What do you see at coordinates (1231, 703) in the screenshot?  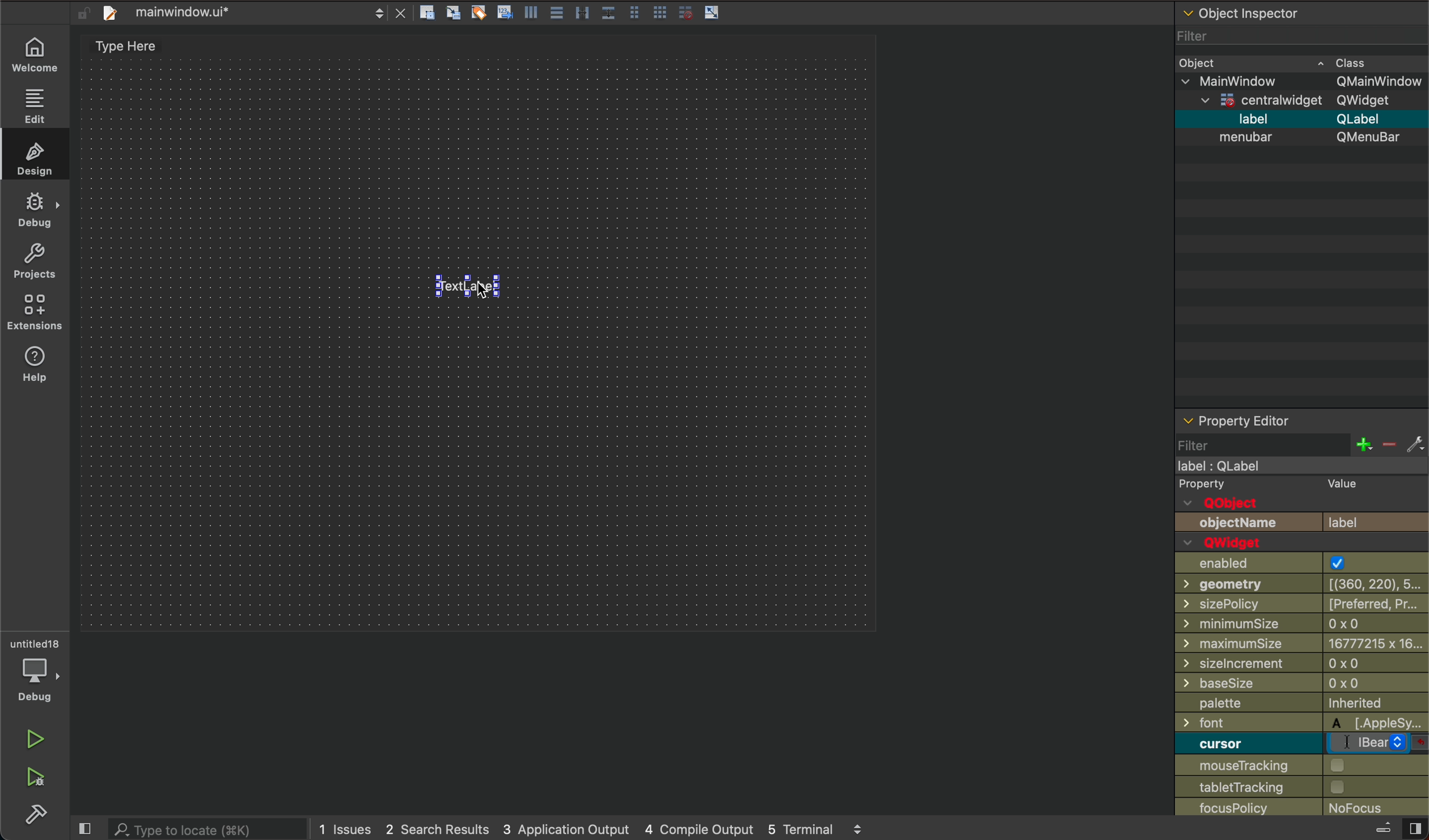 I see `palette` at bounding box center [1231, 703].